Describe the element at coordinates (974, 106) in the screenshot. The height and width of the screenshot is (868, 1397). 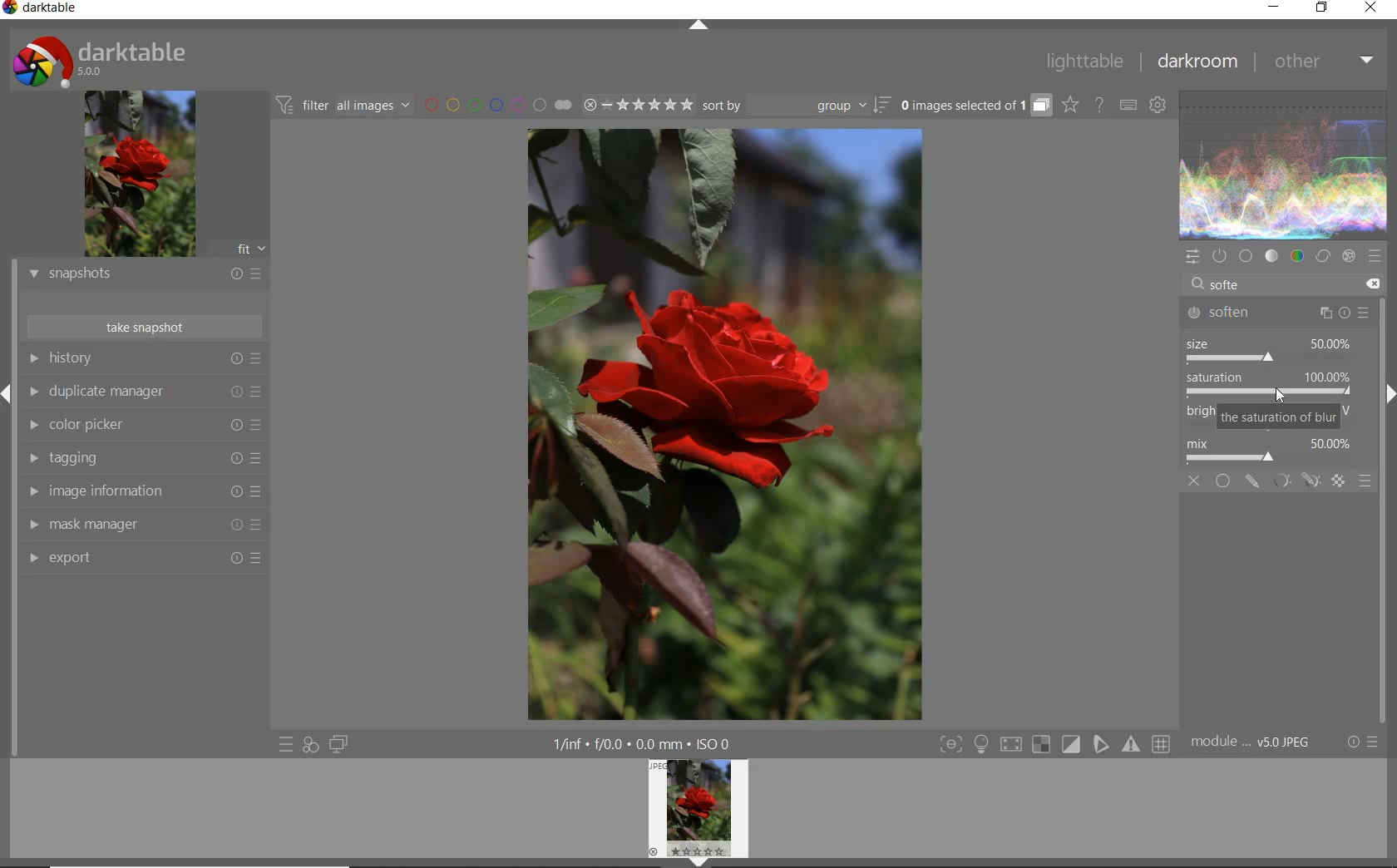
I see `grouped images` at that location.